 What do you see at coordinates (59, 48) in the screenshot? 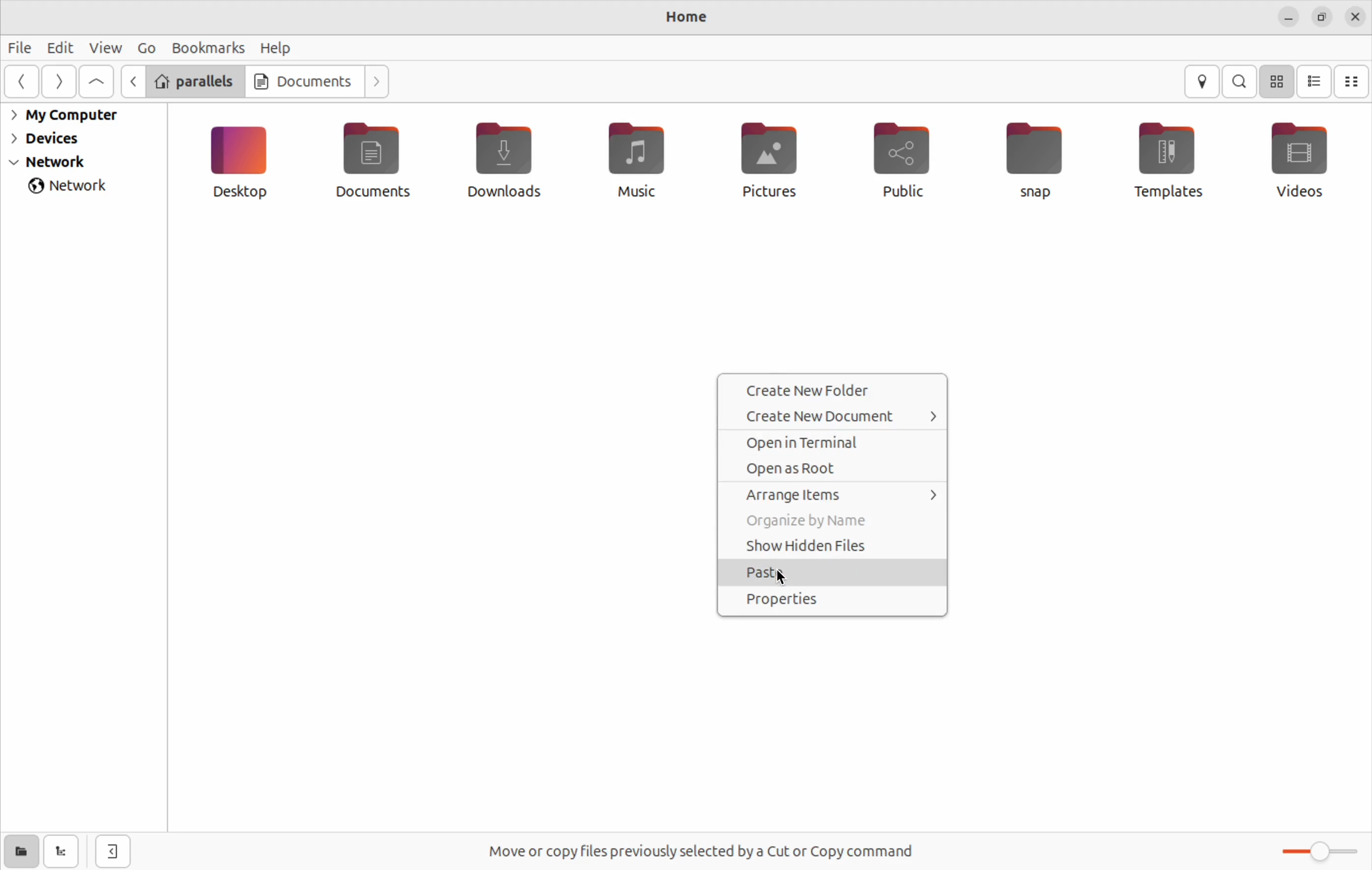
I see `Edit` at bounding box center [59, 48].